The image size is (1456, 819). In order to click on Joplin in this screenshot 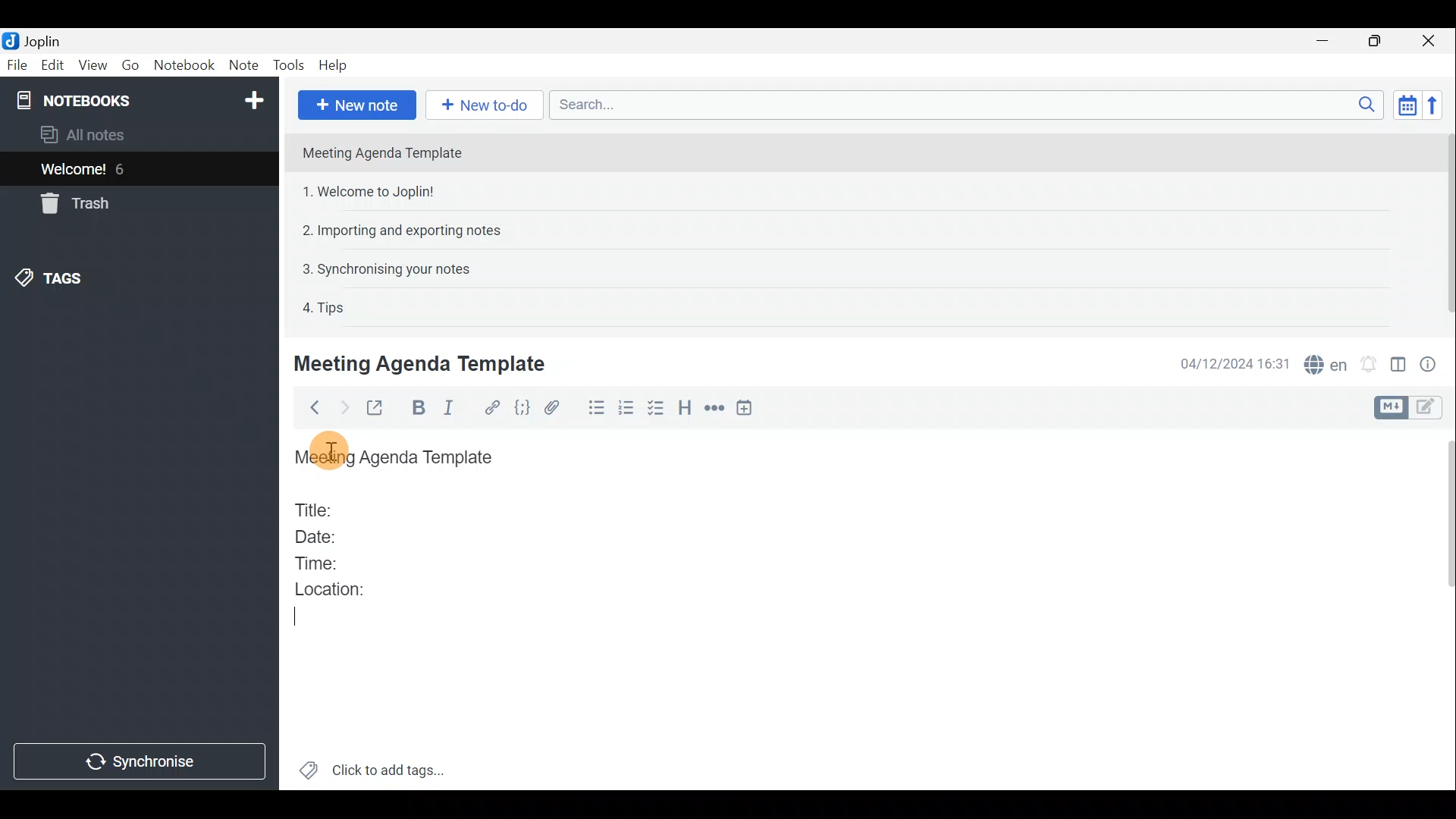, I will do `click(42, 40)`.